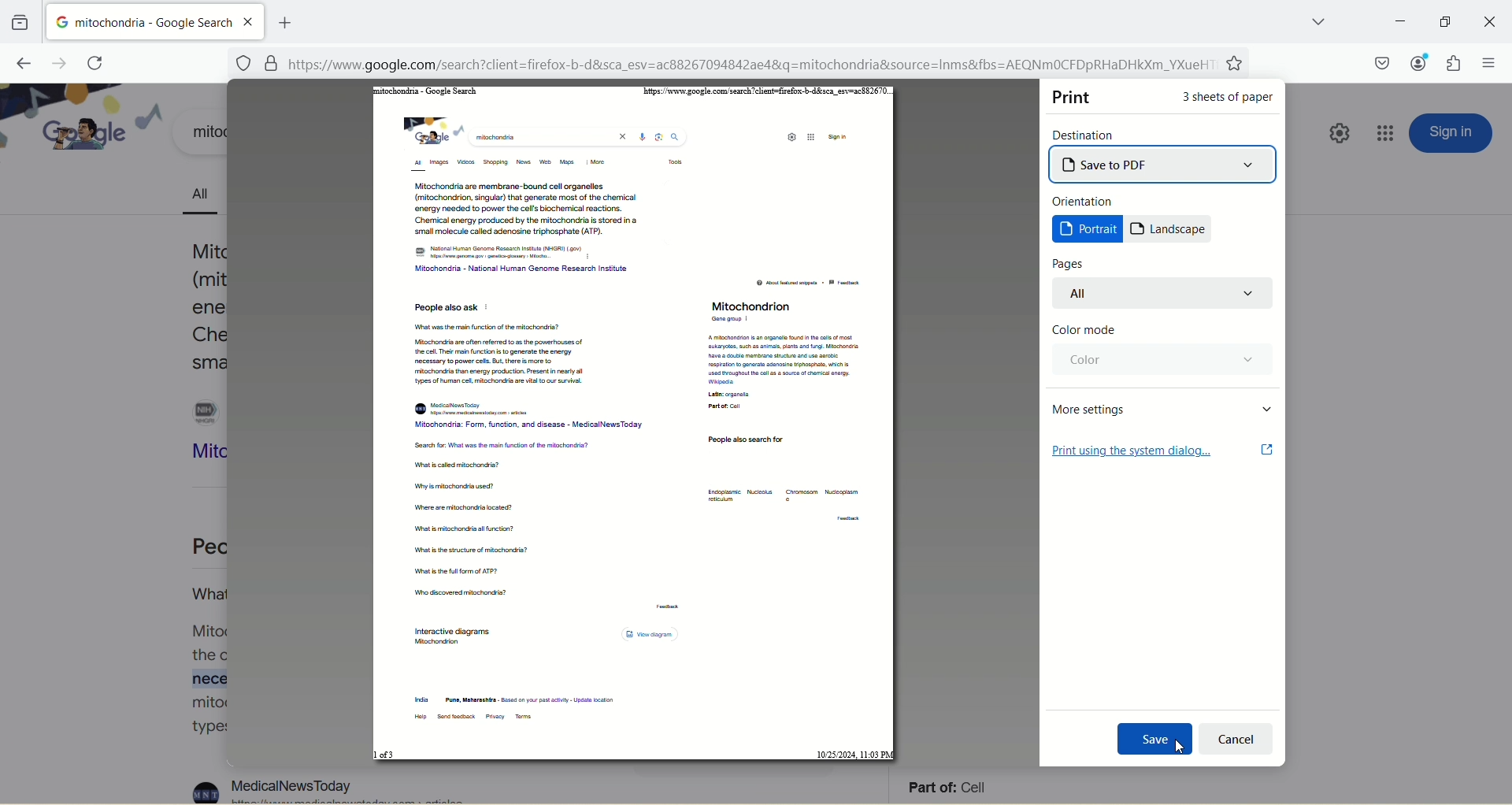 The width and height of the screenshot is (1512, 805). I want to click on account, so click(1415, 61).